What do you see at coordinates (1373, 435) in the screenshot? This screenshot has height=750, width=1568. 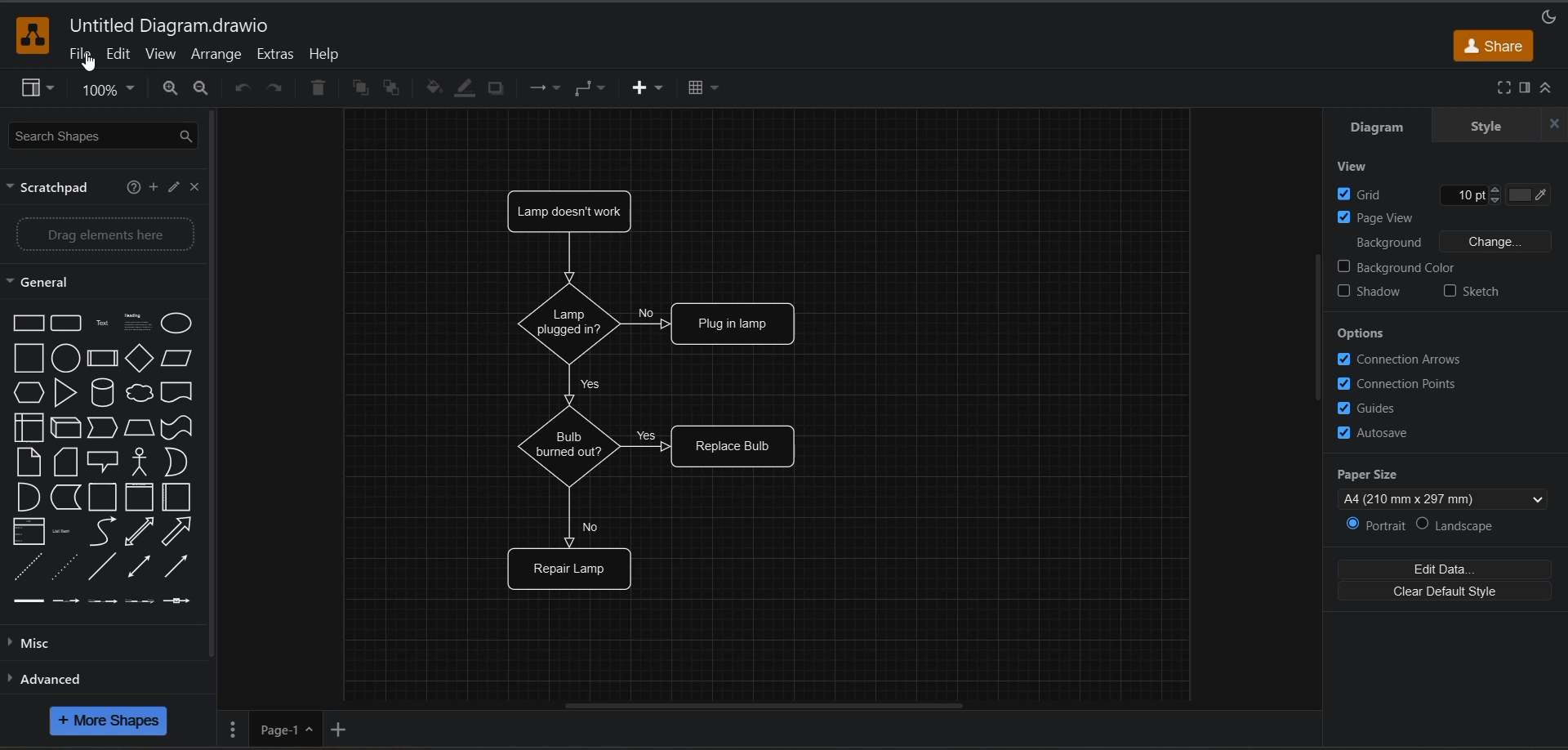 I see `autosave` at bounding box center [1373, 435].